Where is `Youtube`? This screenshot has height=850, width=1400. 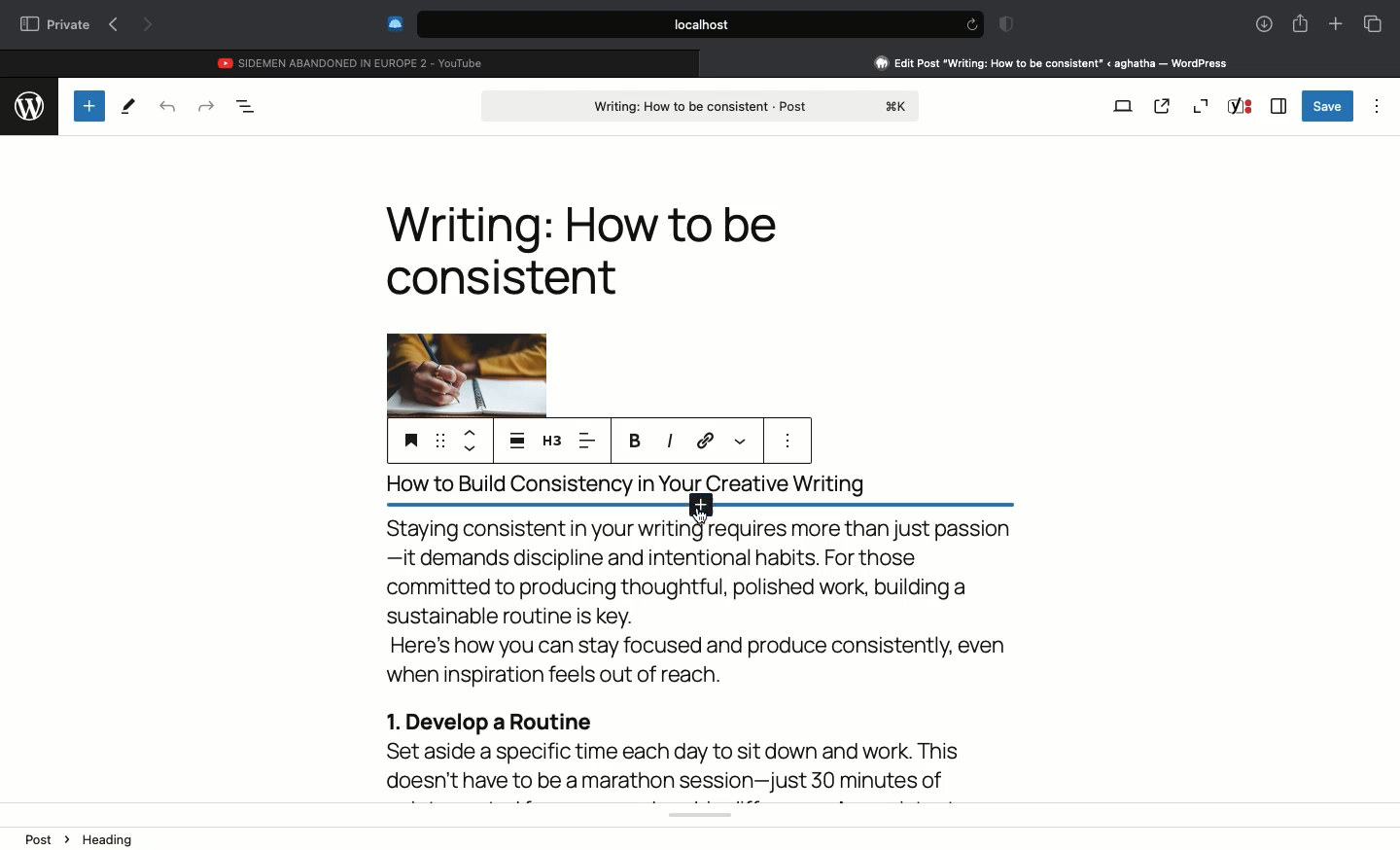
Youtube is located at coordinates (353, 60).